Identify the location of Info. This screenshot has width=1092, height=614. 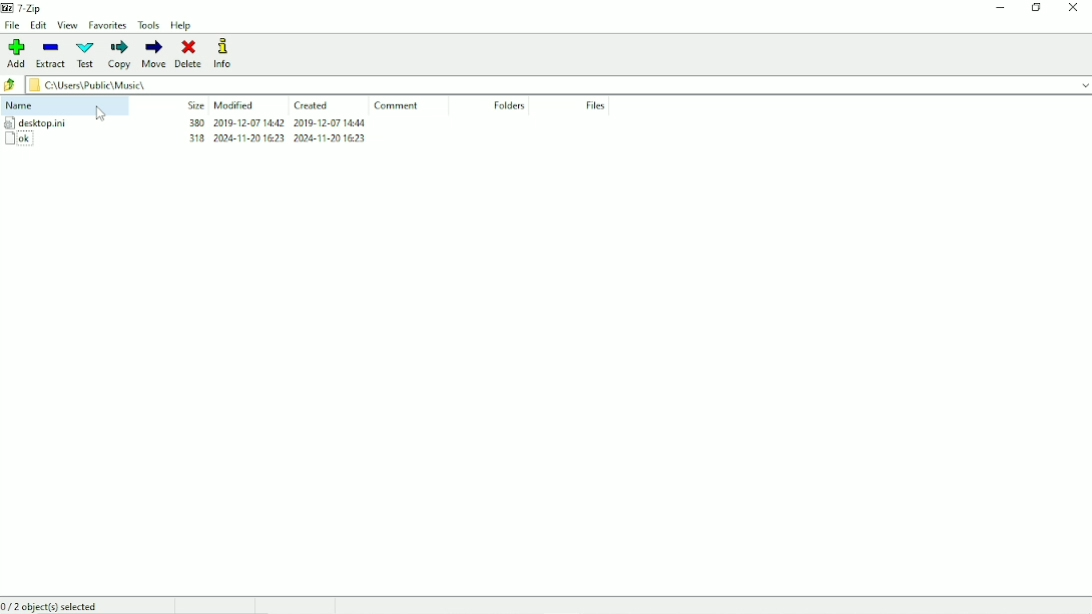
(227, 53).